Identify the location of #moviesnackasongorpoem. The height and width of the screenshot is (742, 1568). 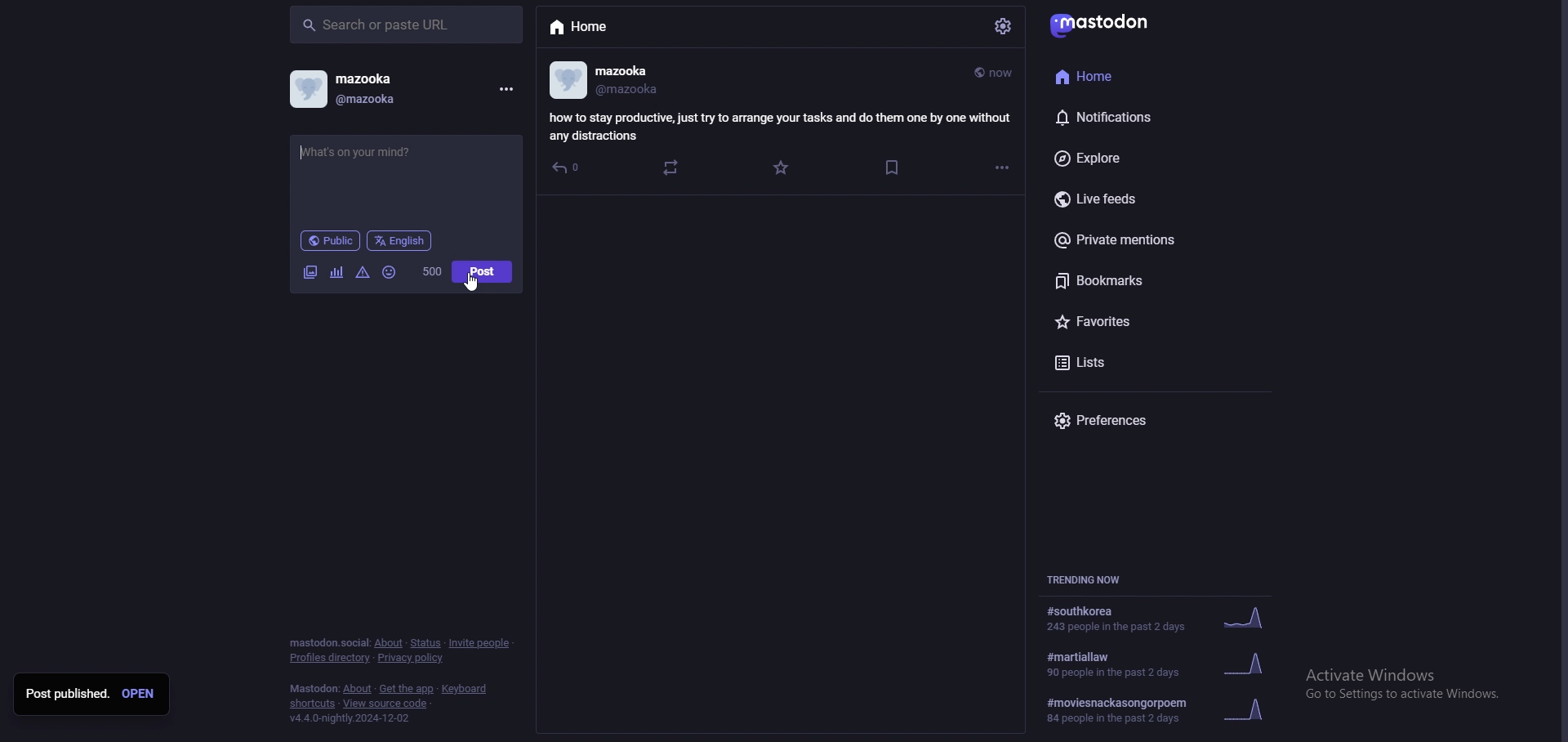
(1160, 712).